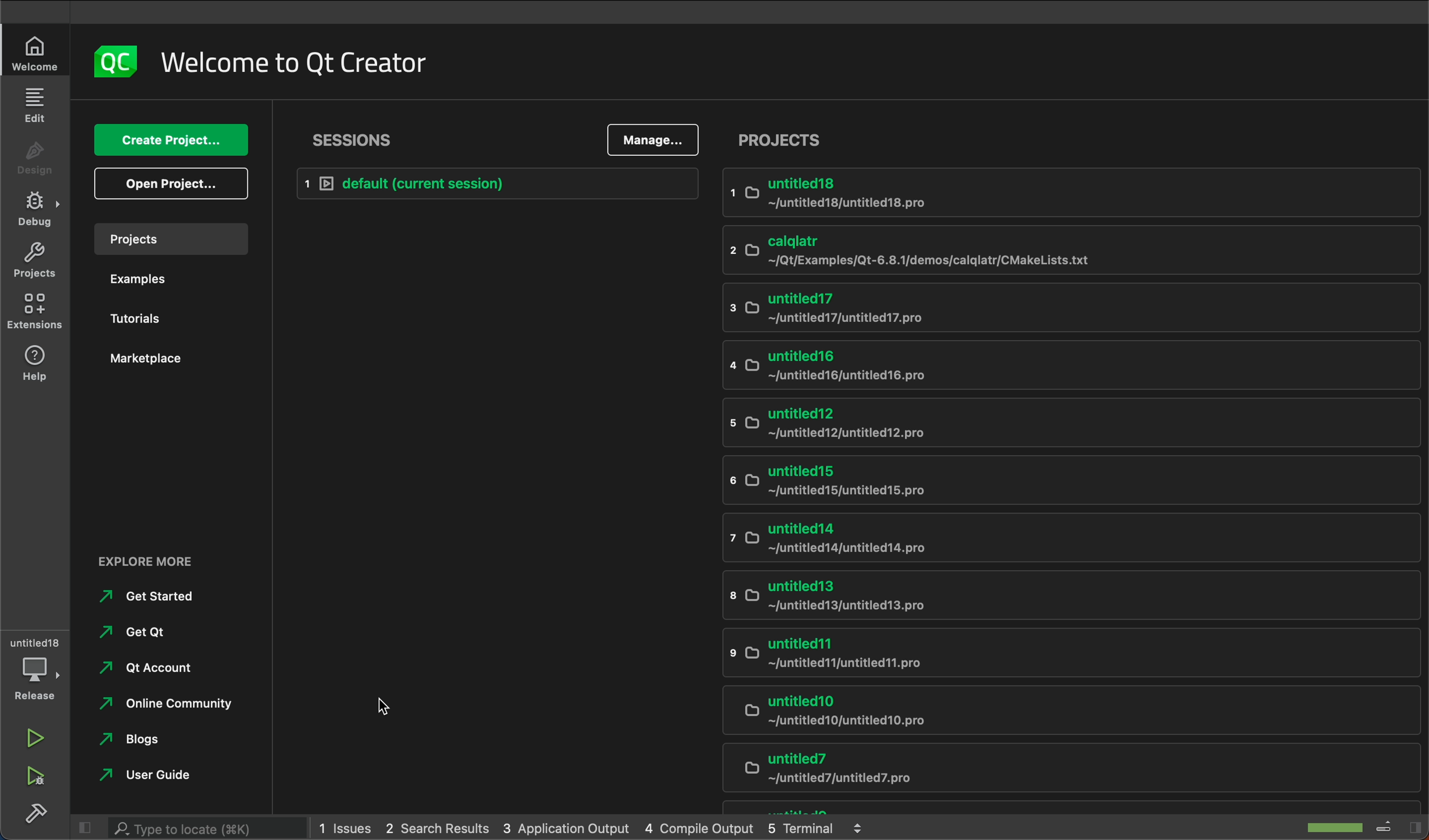 The width and height of the screenshot is (1429, 840). Describe the element at coordinates (32, 53) in the screenshot. I see `welcome` at that location.